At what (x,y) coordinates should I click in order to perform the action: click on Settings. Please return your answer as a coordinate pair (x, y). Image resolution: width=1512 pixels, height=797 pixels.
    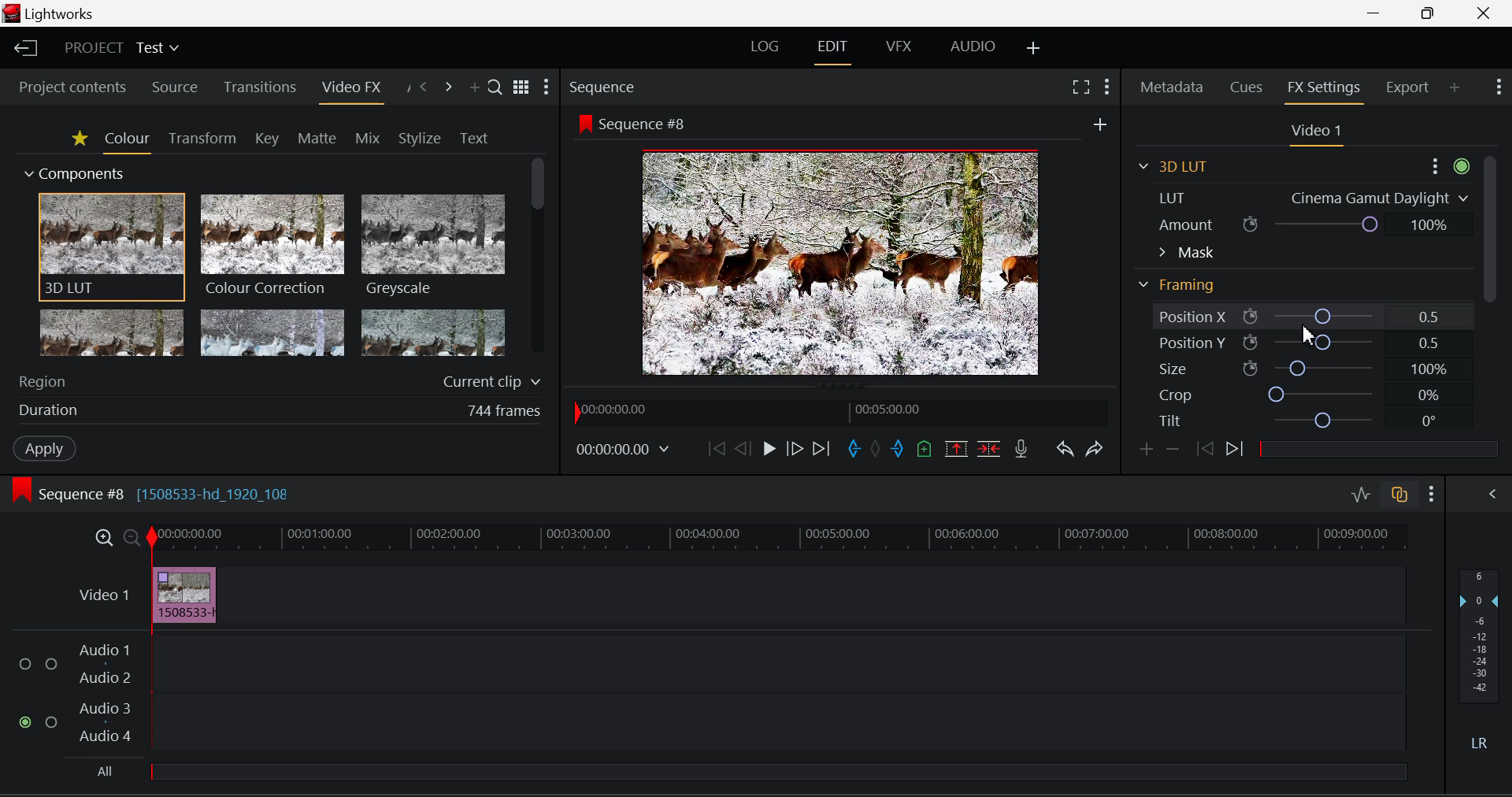
    Looking at the image, I should click on (1451, 165).